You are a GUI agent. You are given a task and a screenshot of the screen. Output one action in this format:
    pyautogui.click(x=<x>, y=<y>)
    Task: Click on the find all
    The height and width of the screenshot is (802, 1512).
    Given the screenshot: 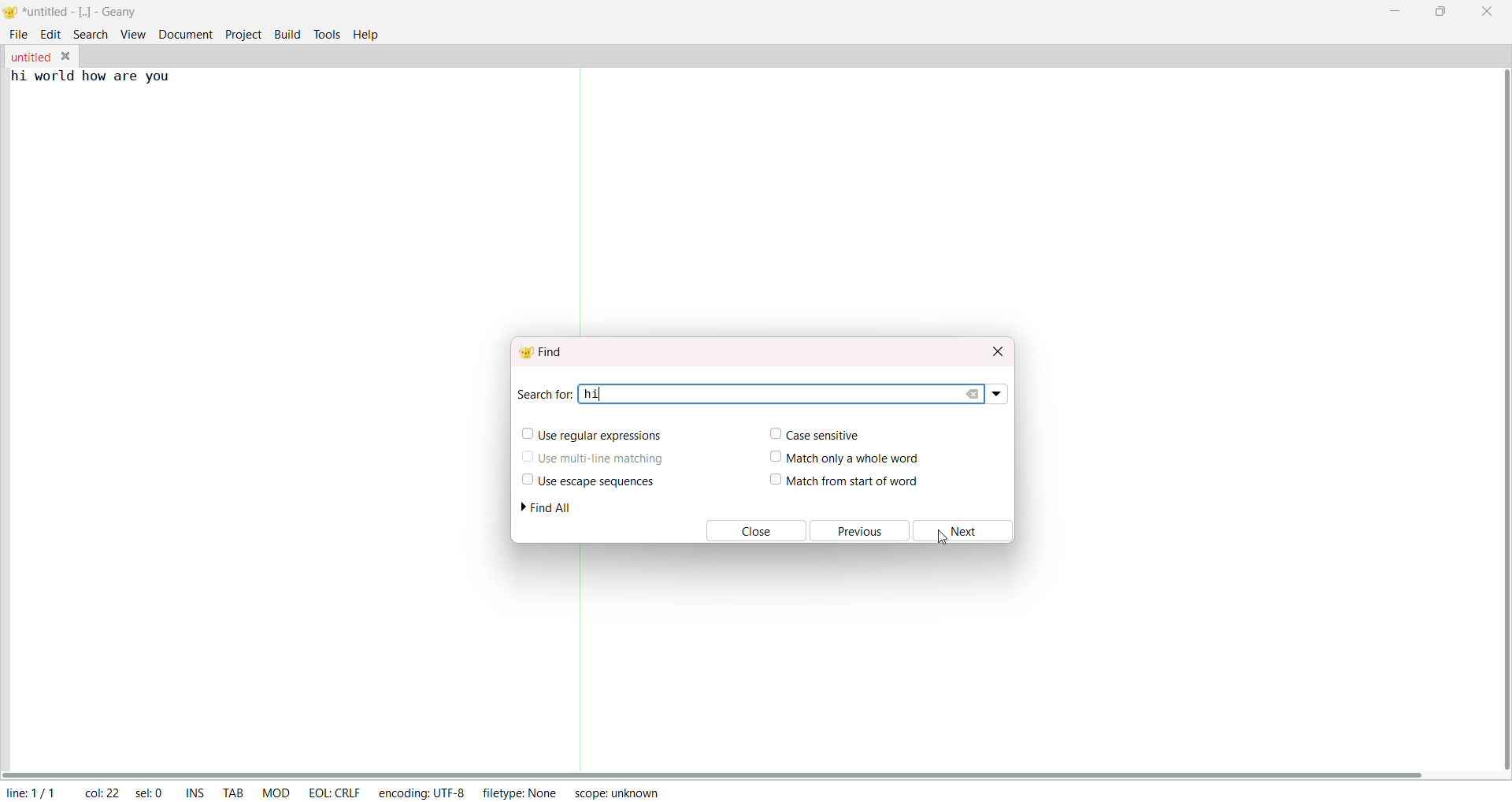 What is the action you would take?
    pyautogui.click(x=542, y=507)
    